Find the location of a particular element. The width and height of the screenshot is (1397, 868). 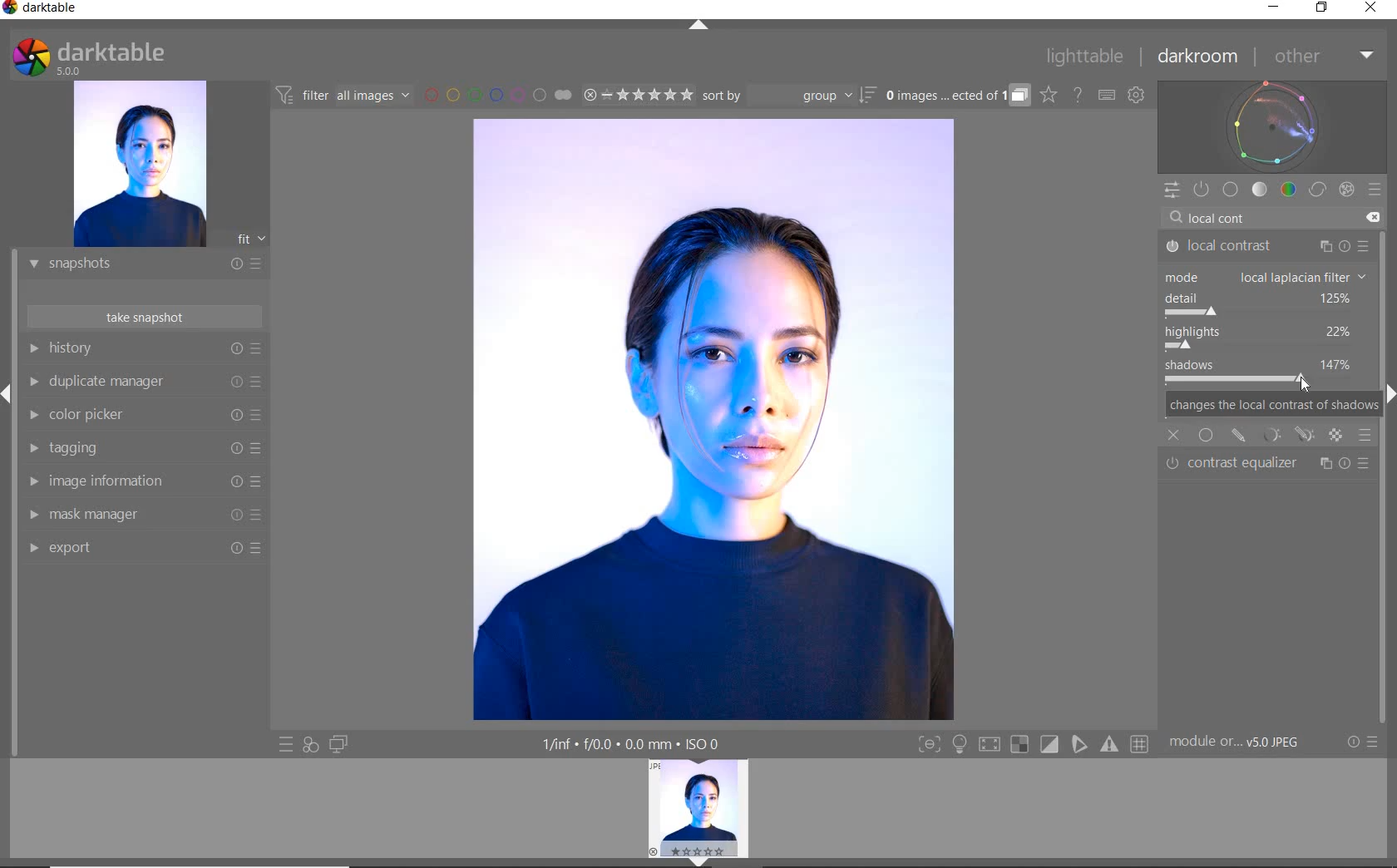

TONE is located at coordinates (1261, 190).